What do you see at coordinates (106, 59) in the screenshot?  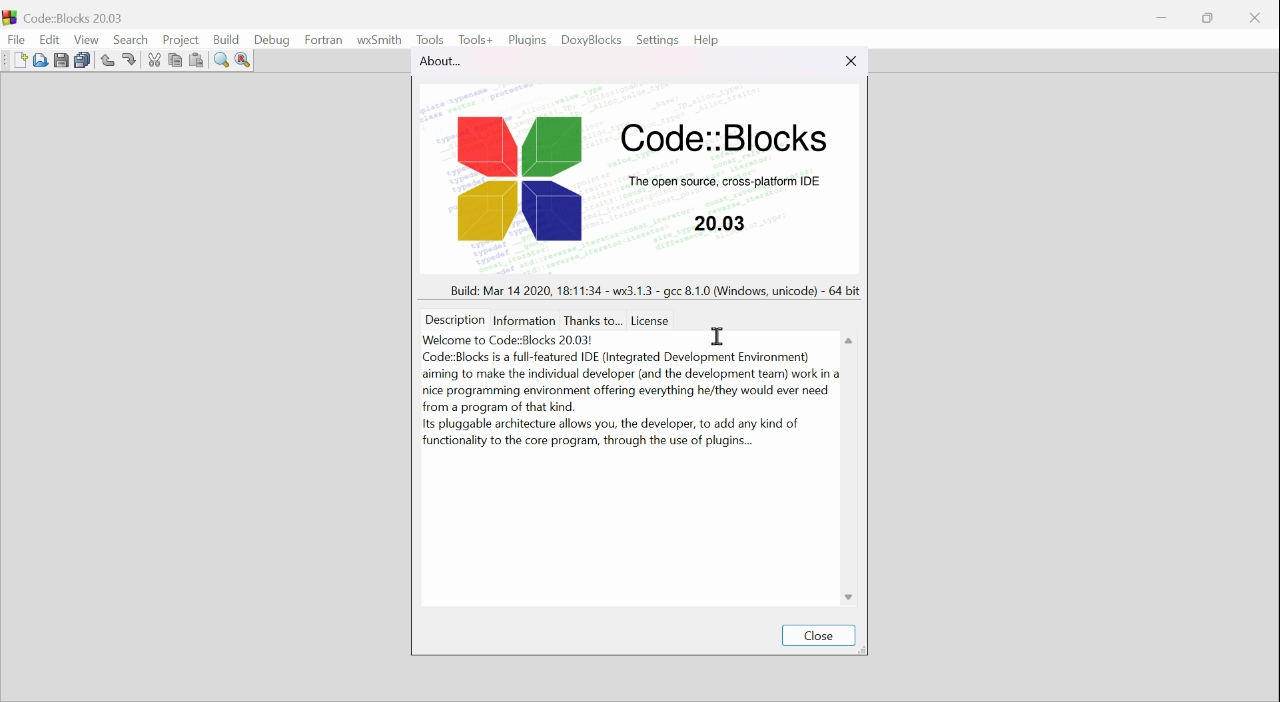 I see `Undo` at bounding box center [106, 59].